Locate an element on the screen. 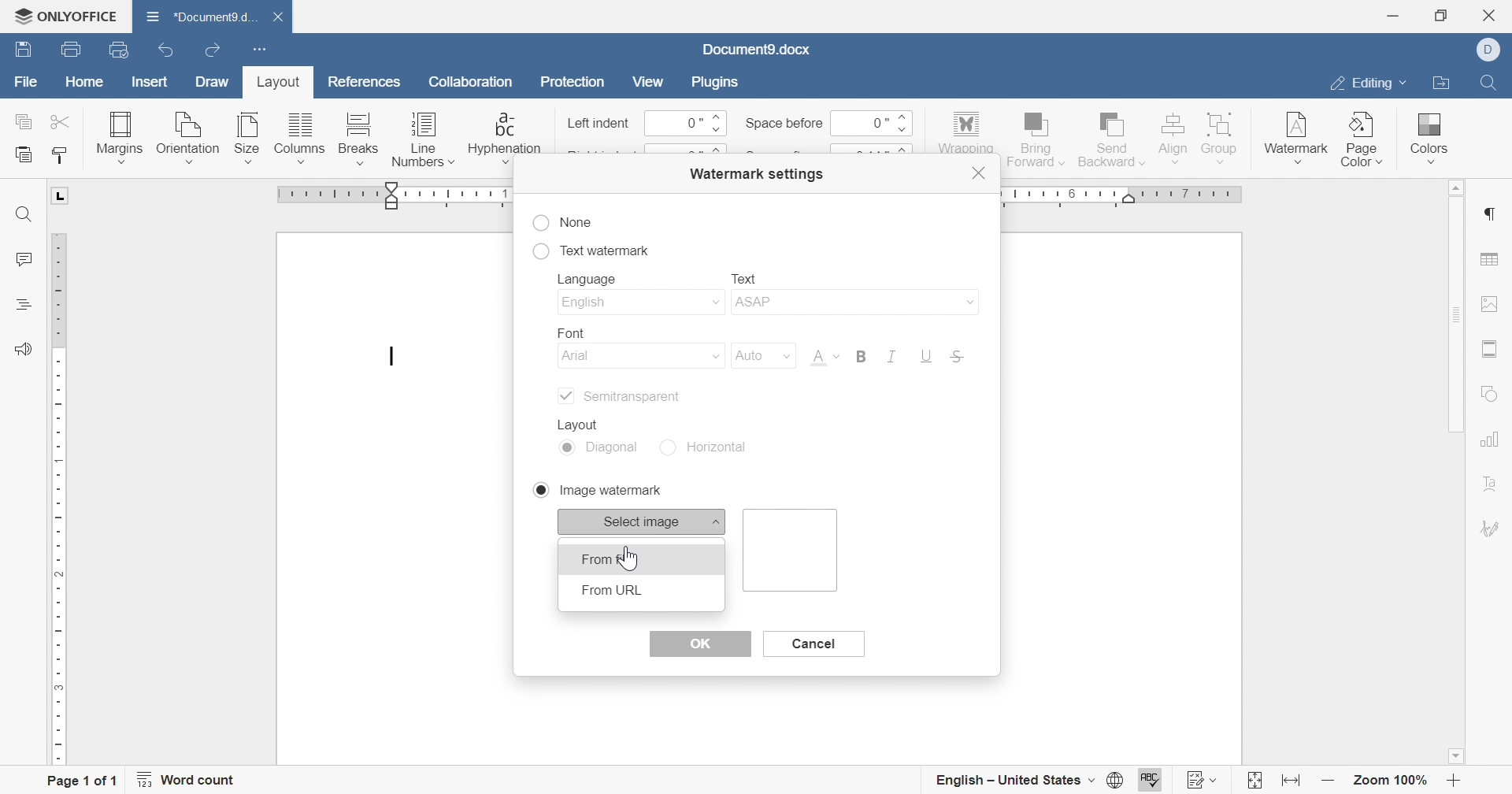 This screenshot has width=1512, height=794. language is located at coordinates (591, 280).